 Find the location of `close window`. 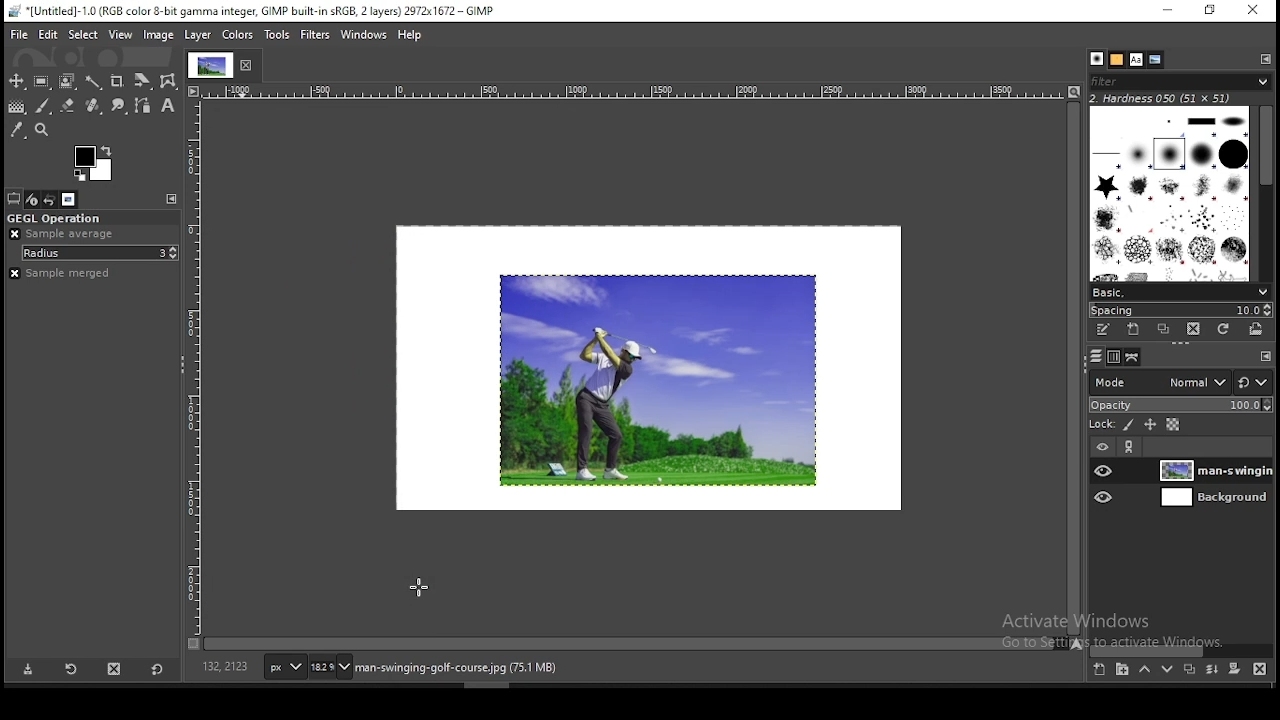

close window is located at coordinates (1255, 11).